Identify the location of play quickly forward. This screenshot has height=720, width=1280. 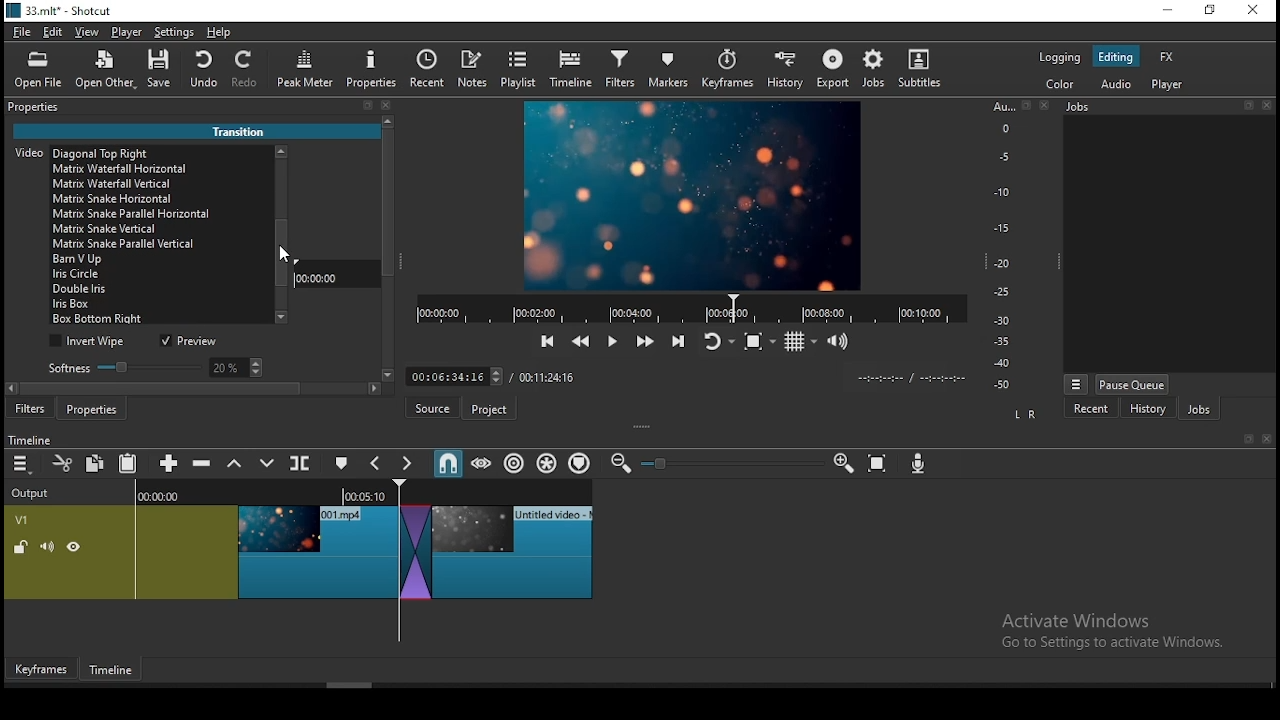
(643, 342).